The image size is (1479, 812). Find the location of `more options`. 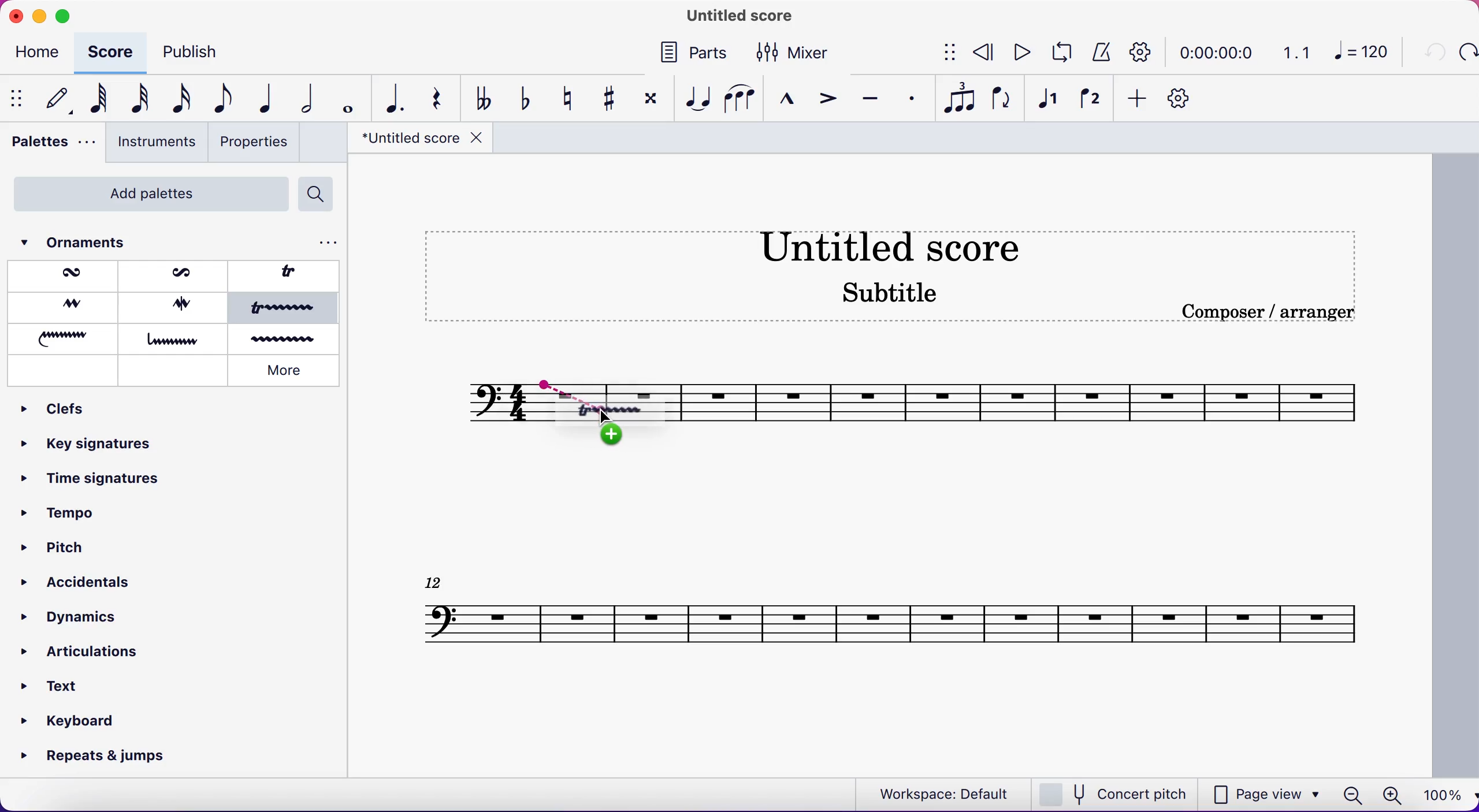

more options is located at coordinates (323, 243).